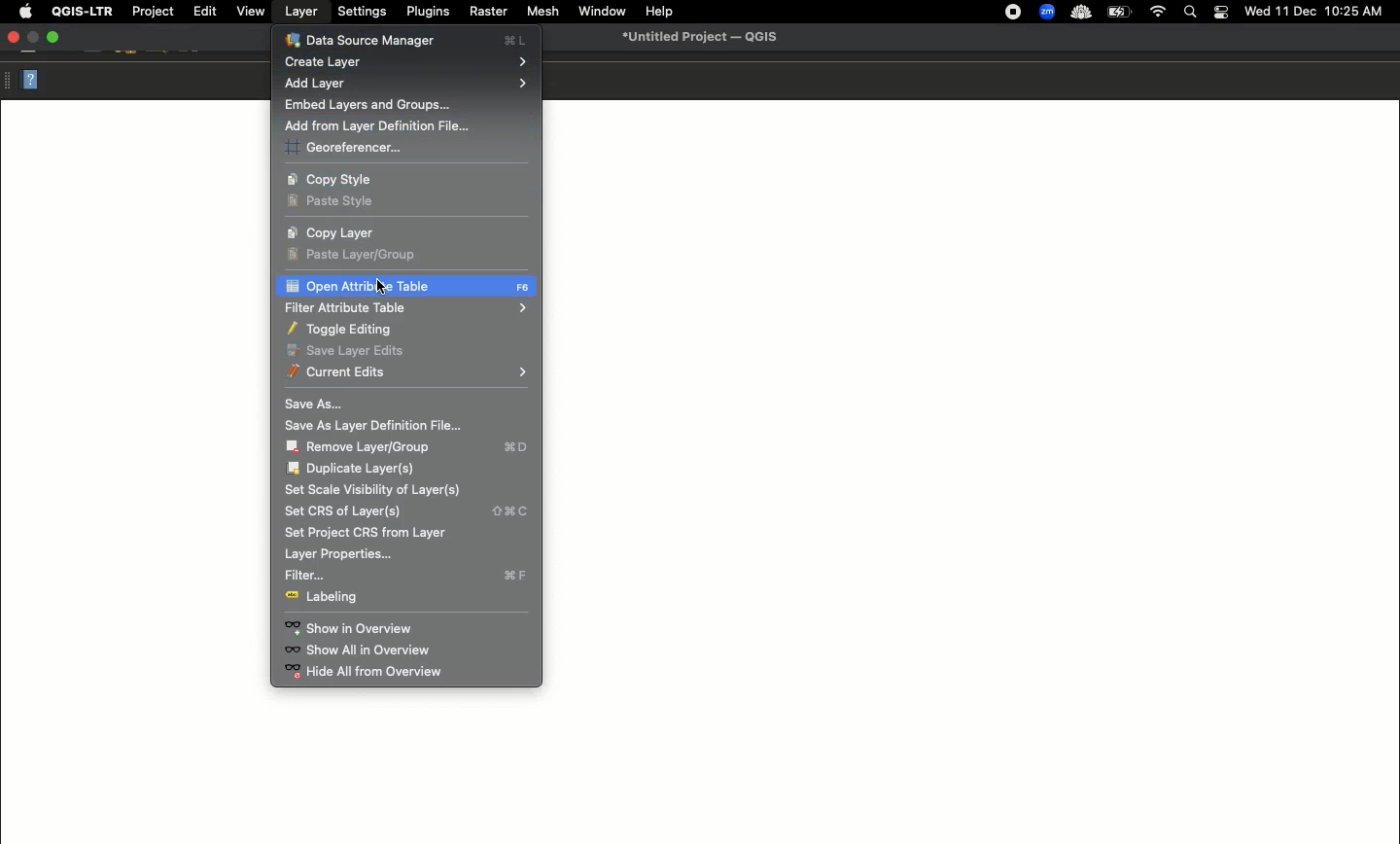 This screenshot has width=1400, height=844. What do you see at coordinates (332, 233) in the screenshot?
I see `Copy layer` at bounding box center [332, 233].